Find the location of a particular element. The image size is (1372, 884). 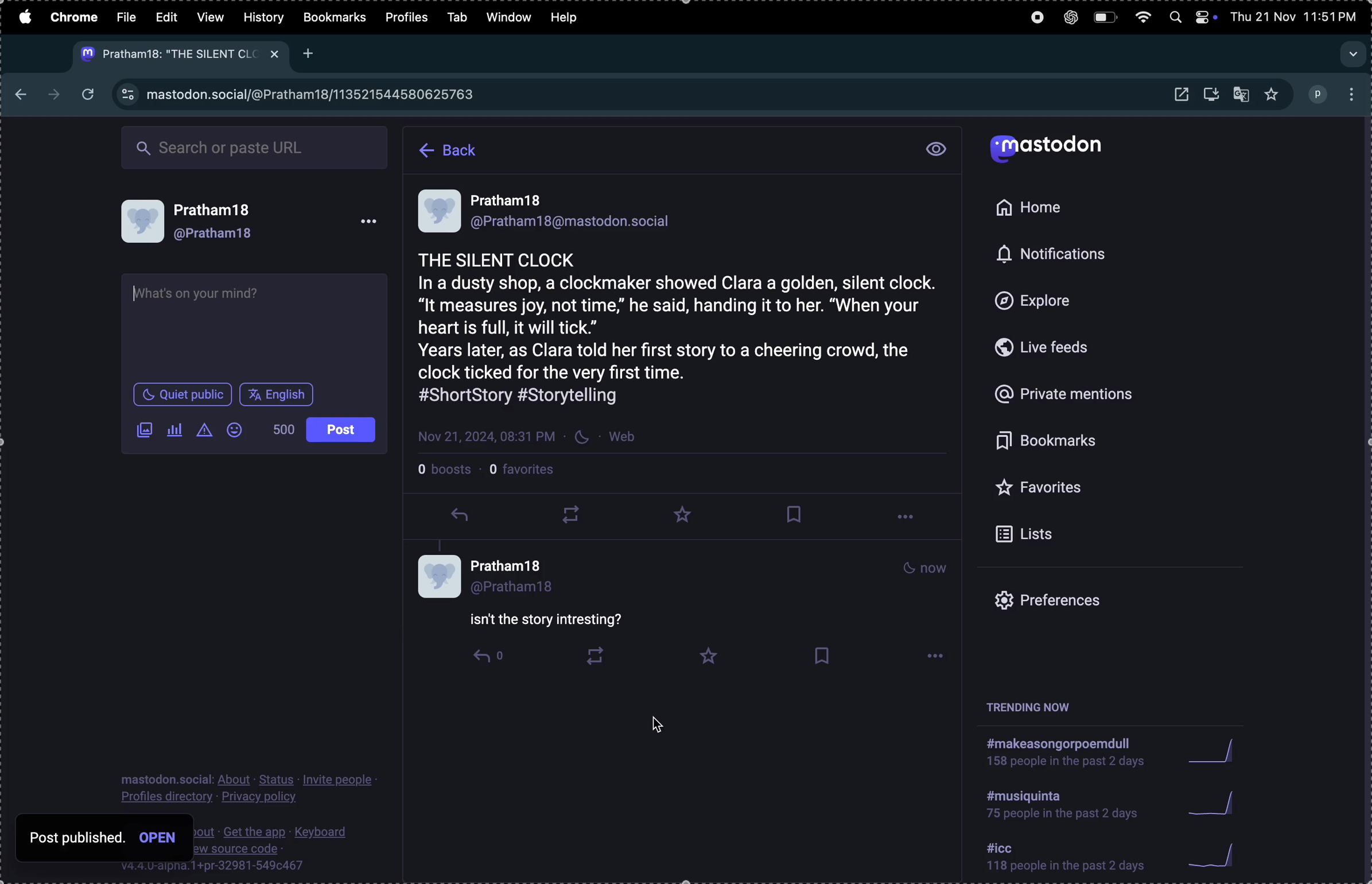

wifi is located at coordinates (1144, 18).